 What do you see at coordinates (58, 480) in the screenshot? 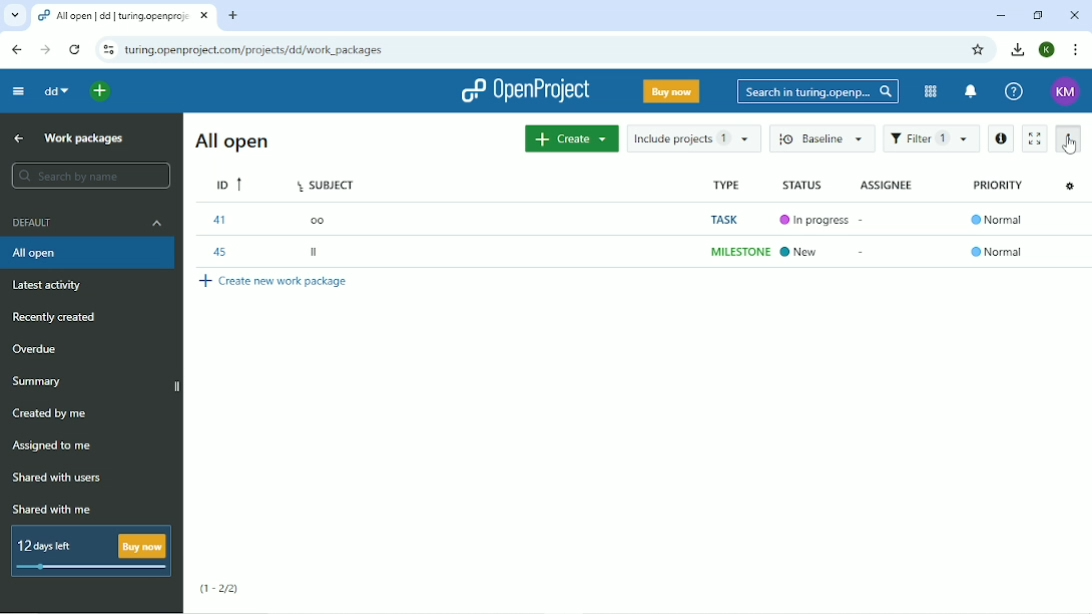
I see `Shared with users` at bounding box center [58, 480].